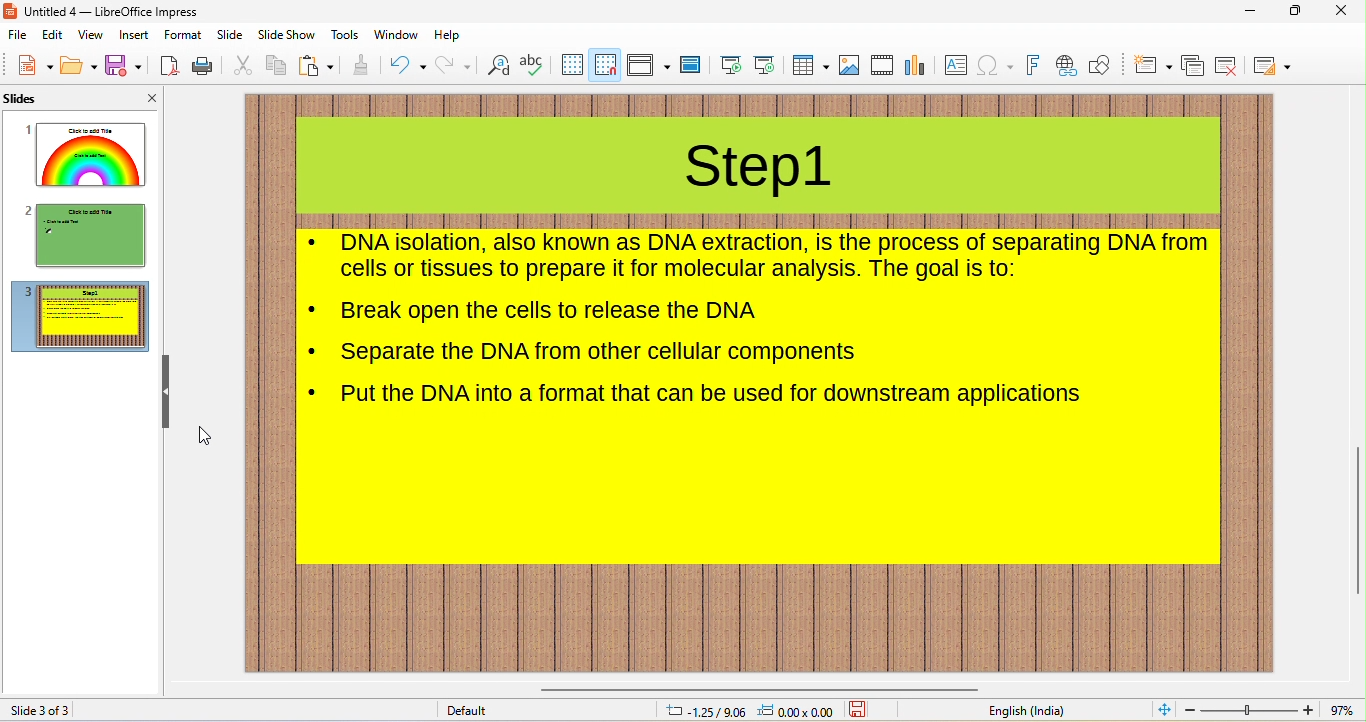 The width and height of the screenshot is (1366, 722). Describe the element at coordinates (1296, 12) in the screenshot. I see `maximize` at that location.